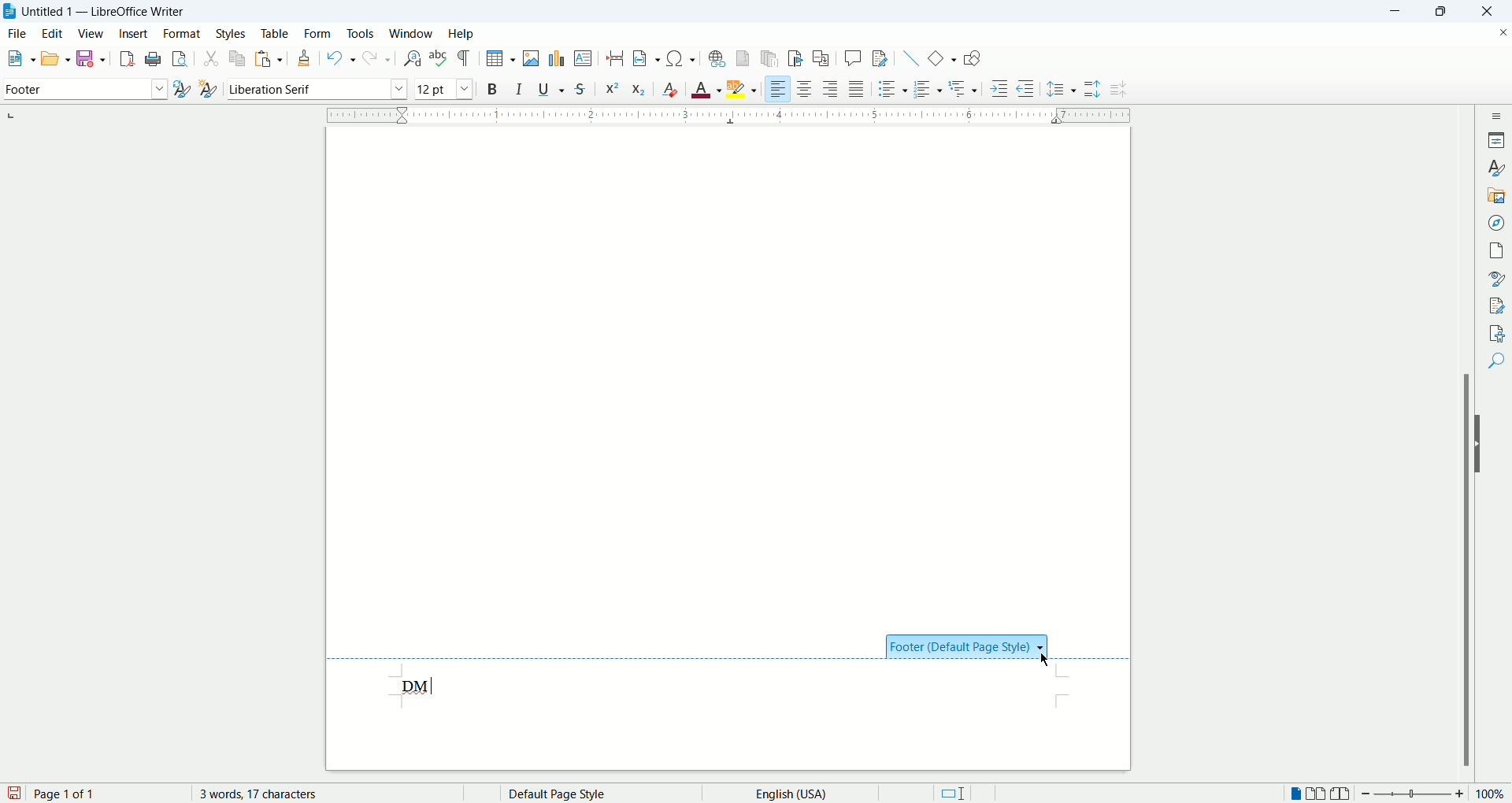 The image size is (1512, 803). Describe the element at coordinates (239, 57) in the screenshot. I see `copy` at that location.